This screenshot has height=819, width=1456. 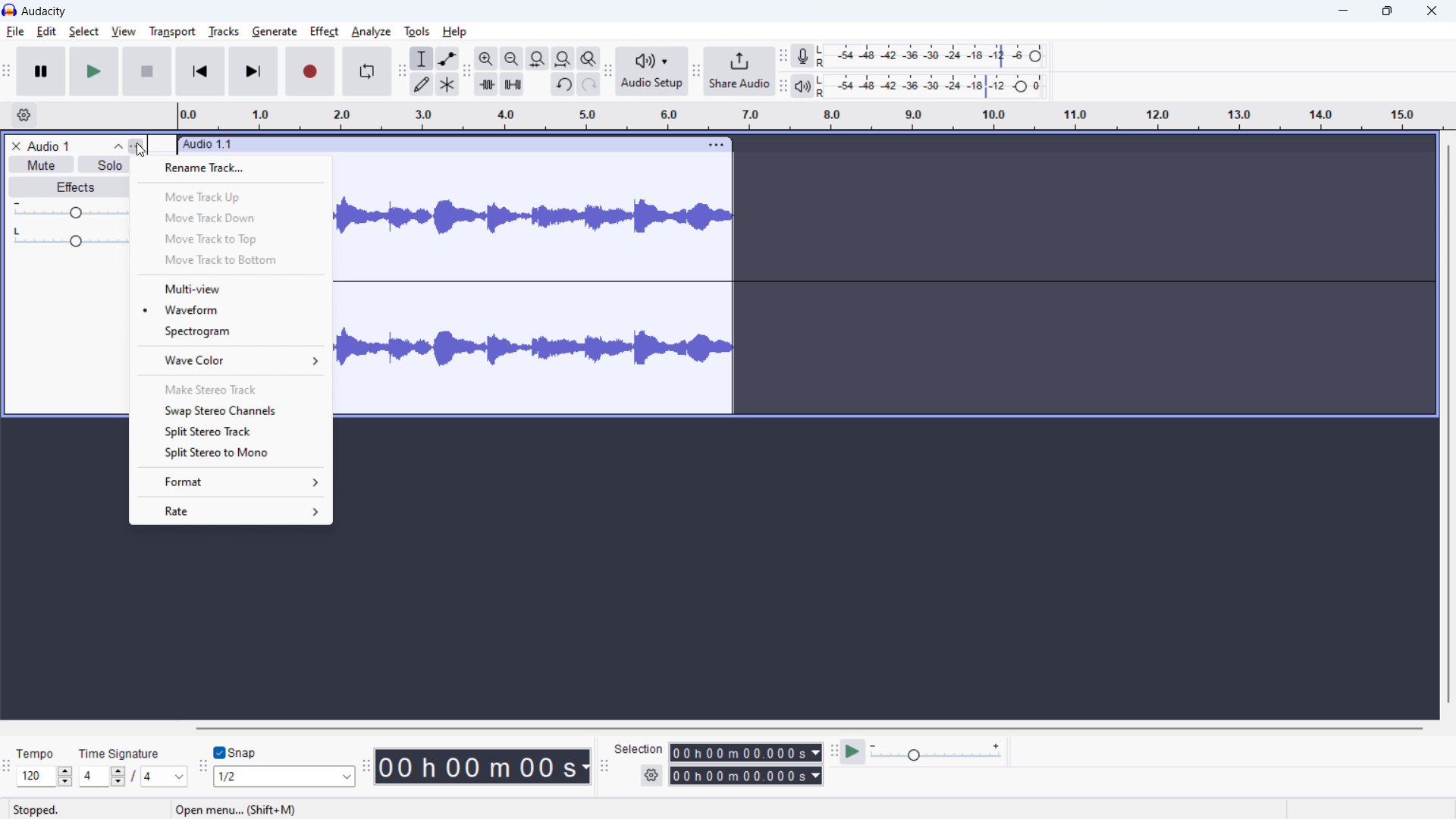 What do you see at coordinates (324, 32) in the screenshot?
I see `effect` at bounding box center [324, 32].